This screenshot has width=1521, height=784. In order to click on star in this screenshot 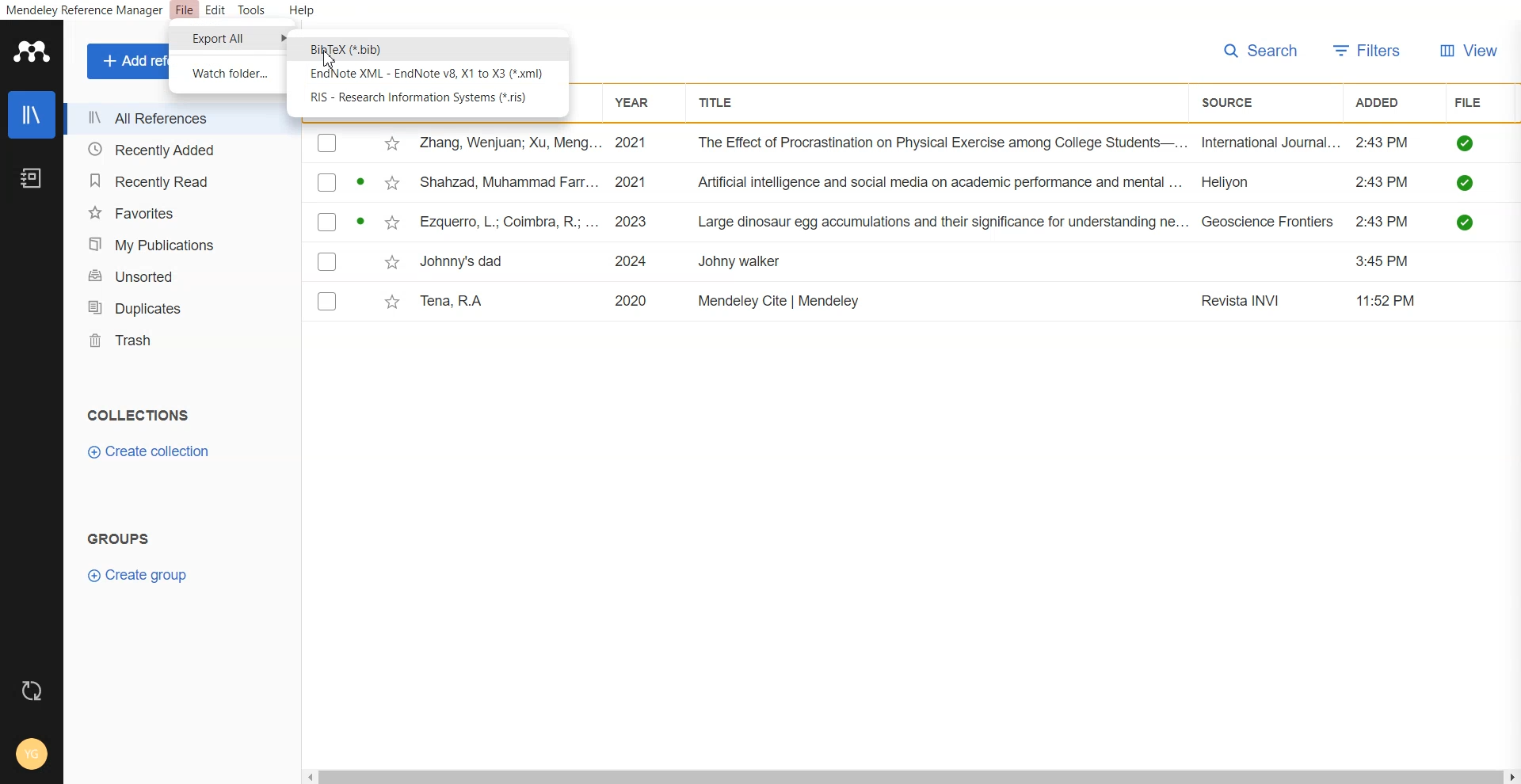, I will do `click(390, 262)`.